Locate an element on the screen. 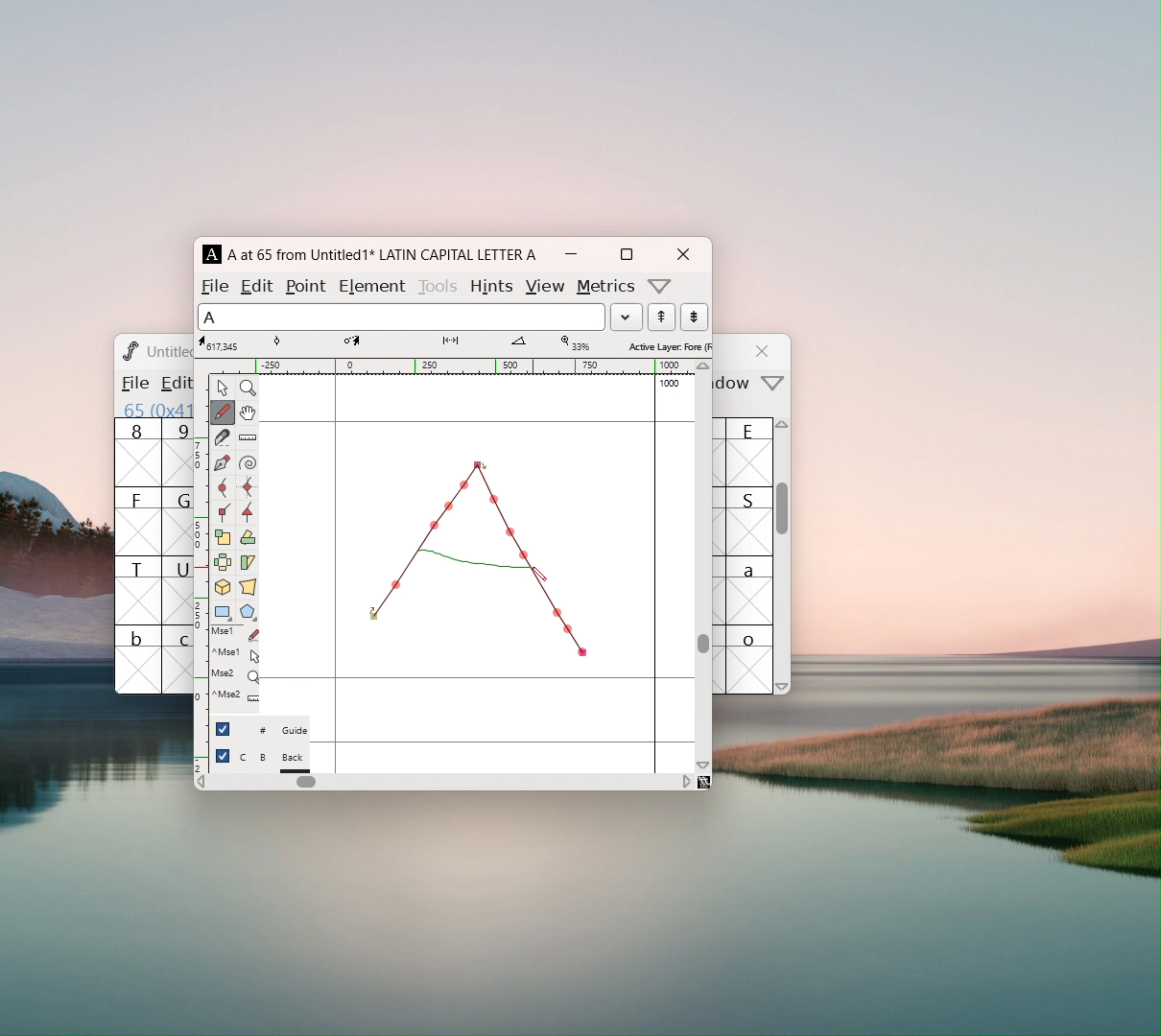 Image resolution: width=1161 pixels, height=1036 pixels. ^Mse2 is located at coordinates (236, 653).